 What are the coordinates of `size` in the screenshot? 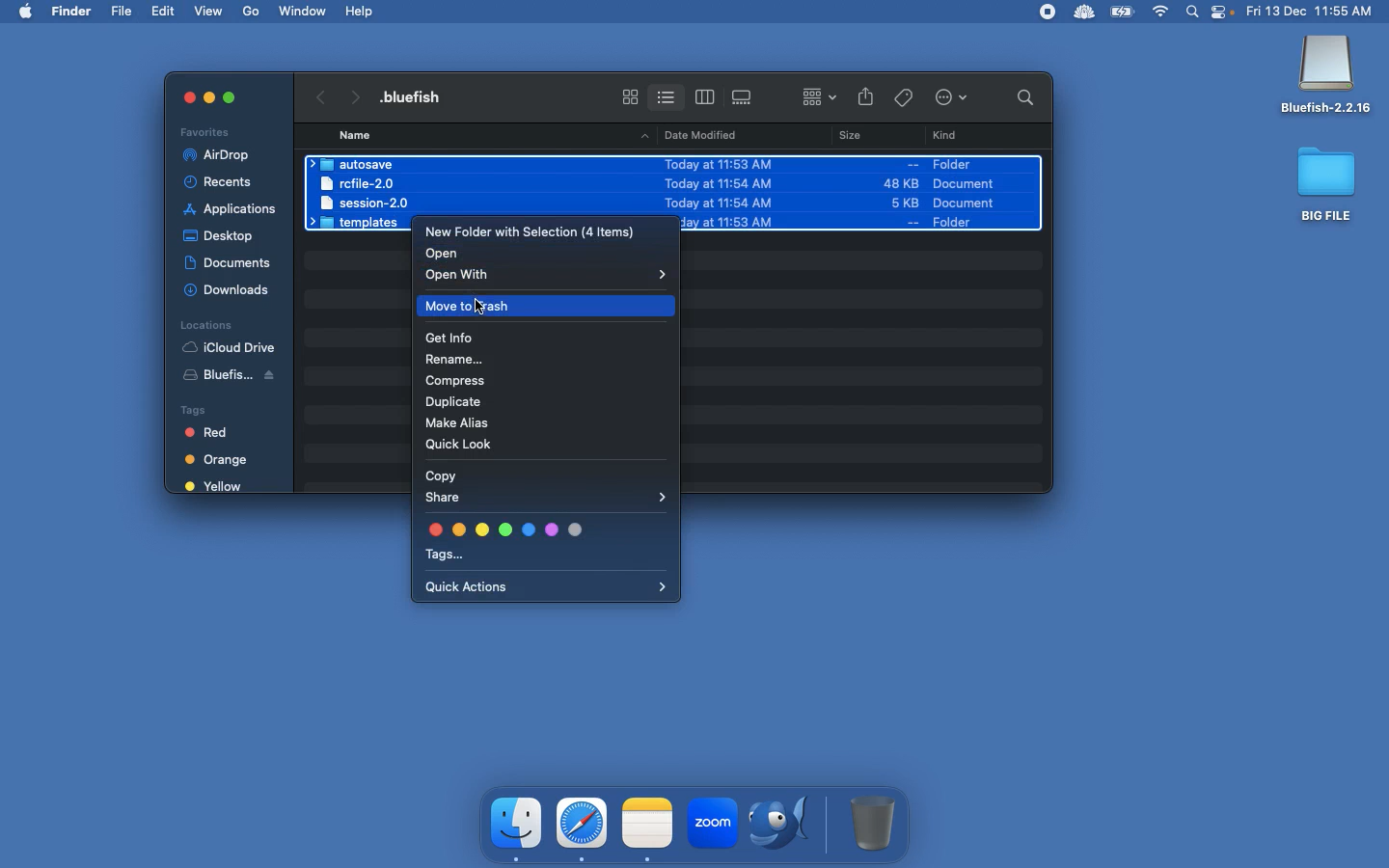 It's located at (845, 138).